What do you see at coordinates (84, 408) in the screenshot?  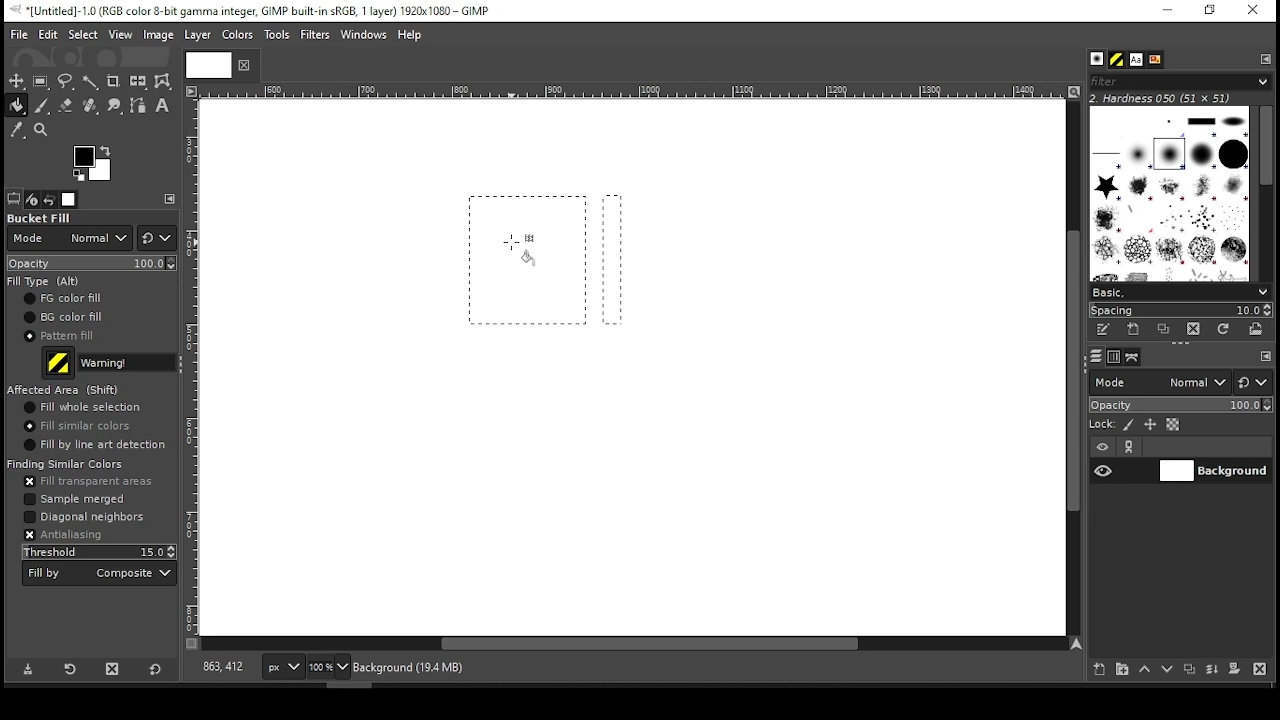 I see `fill whole selection` at bounding box center [84, 408].